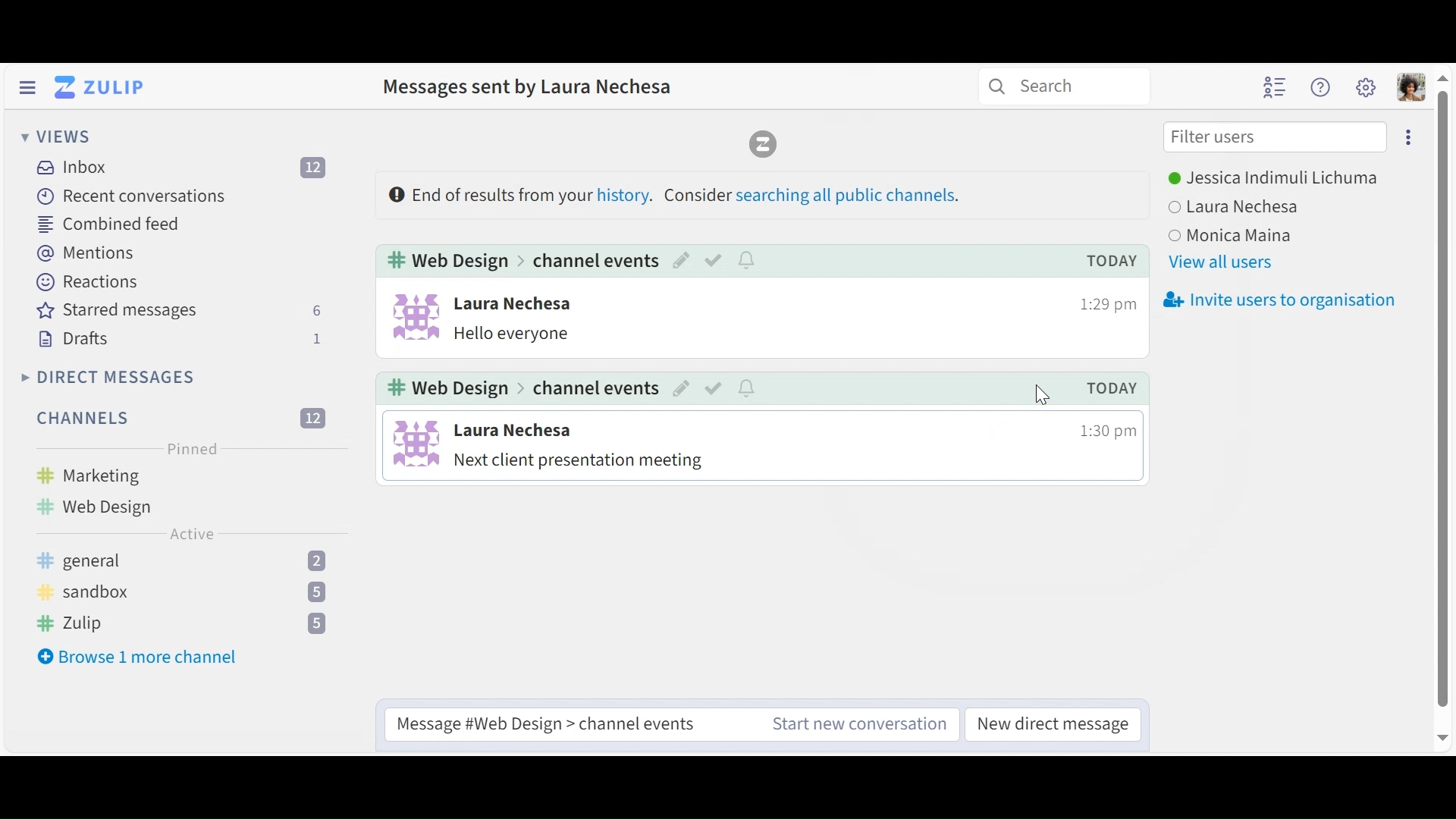  Describe the element at coordinates (680, 194) in the screenshot. I see `Results from sender history` at that location.